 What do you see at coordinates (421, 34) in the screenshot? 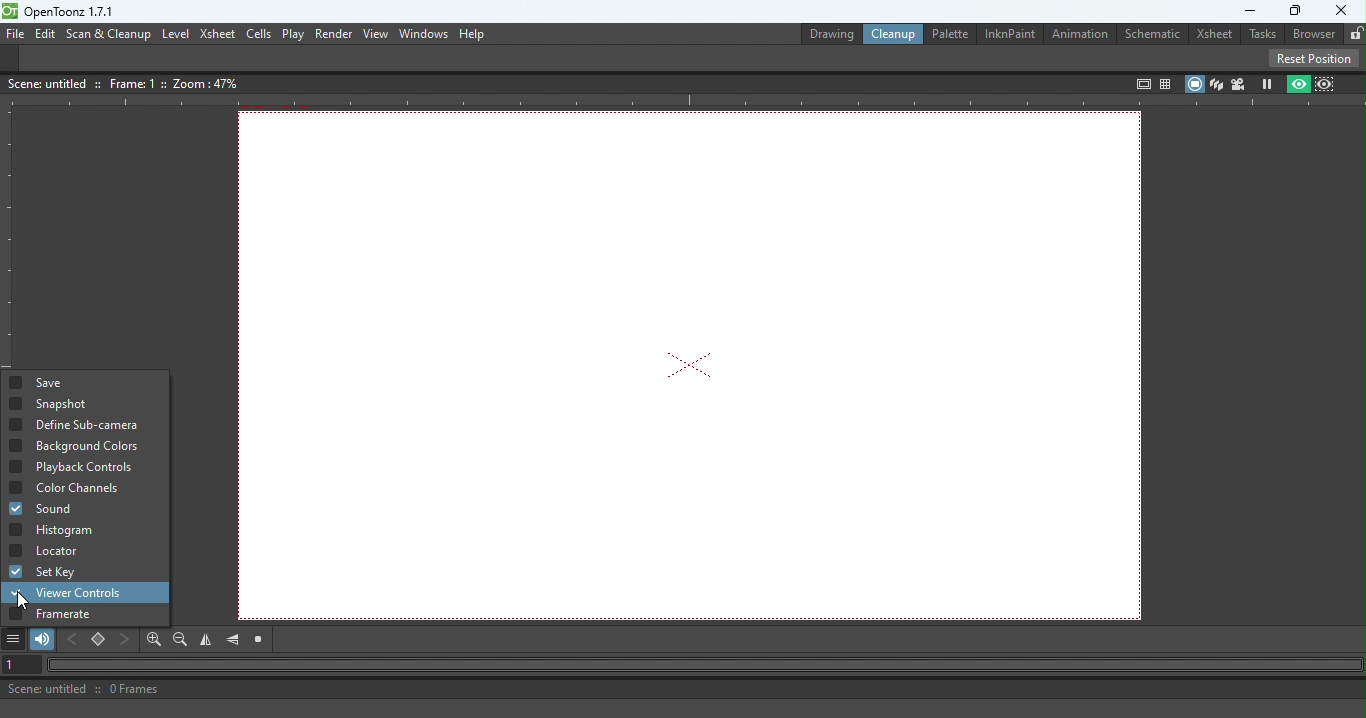
I see `Window` at bounding box center [421, 34].